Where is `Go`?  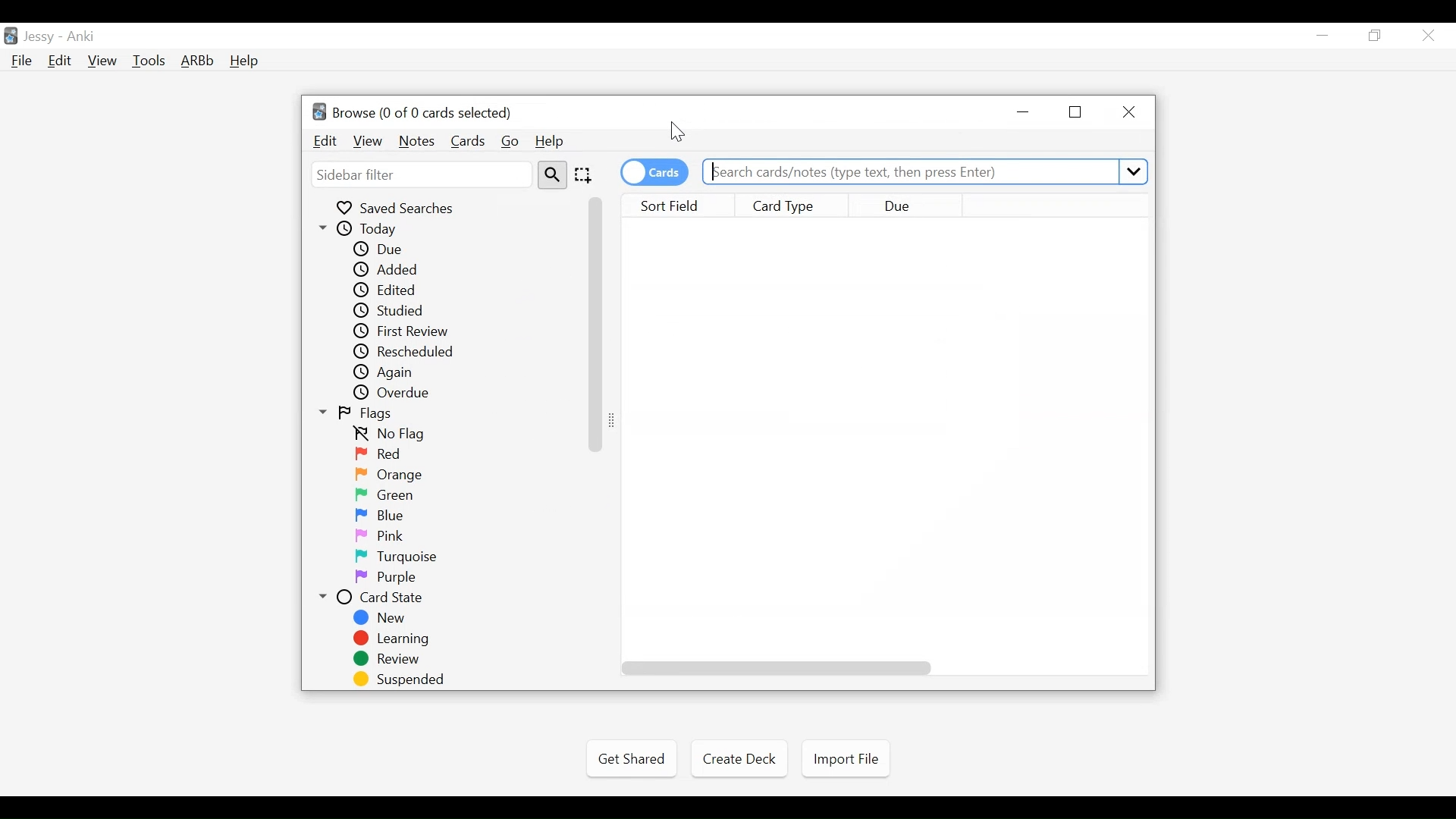
Go is located at coordinates (511, 143).